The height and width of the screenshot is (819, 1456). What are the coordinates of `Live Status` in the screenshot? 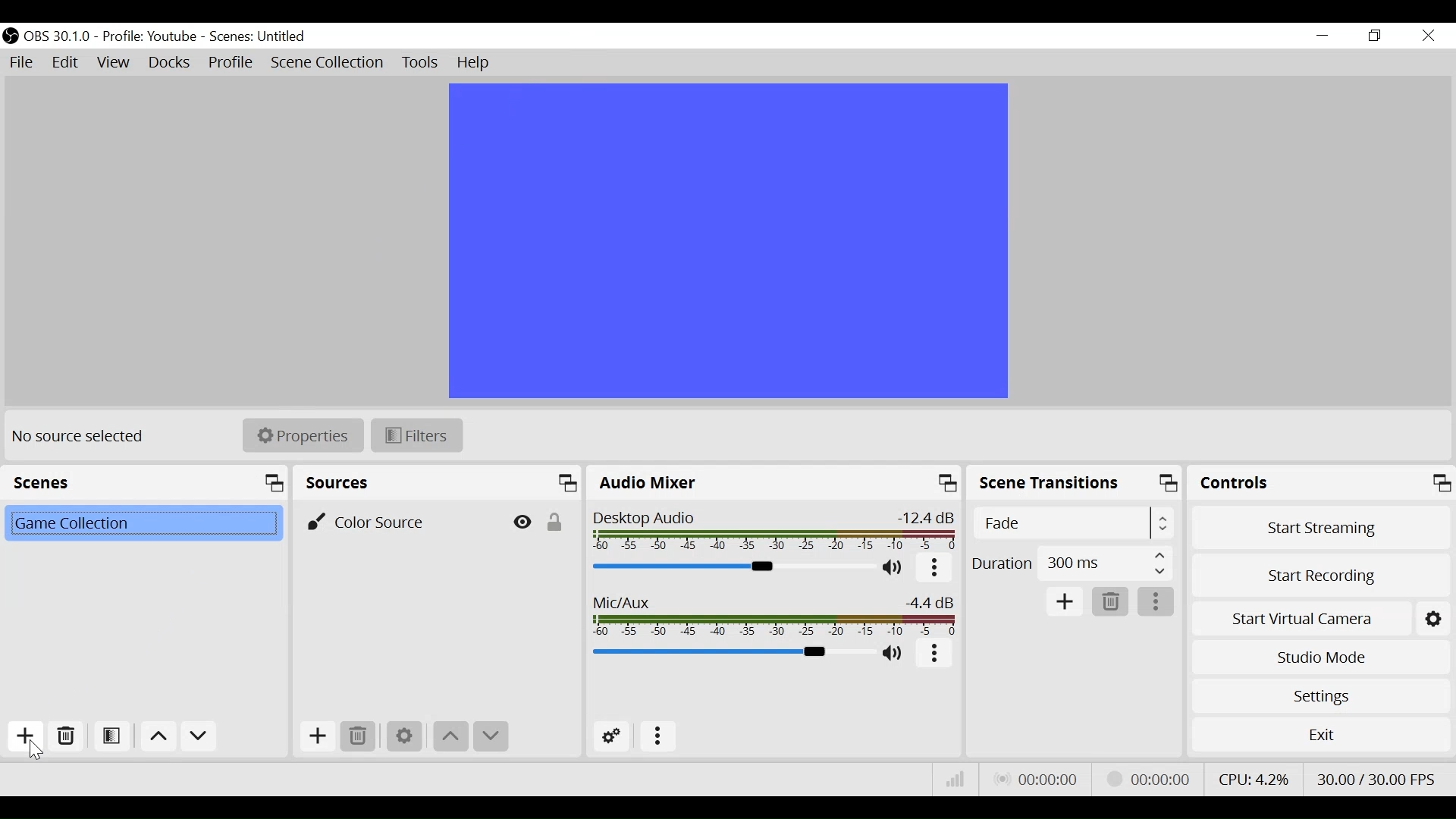 It's located at (1035, 777).